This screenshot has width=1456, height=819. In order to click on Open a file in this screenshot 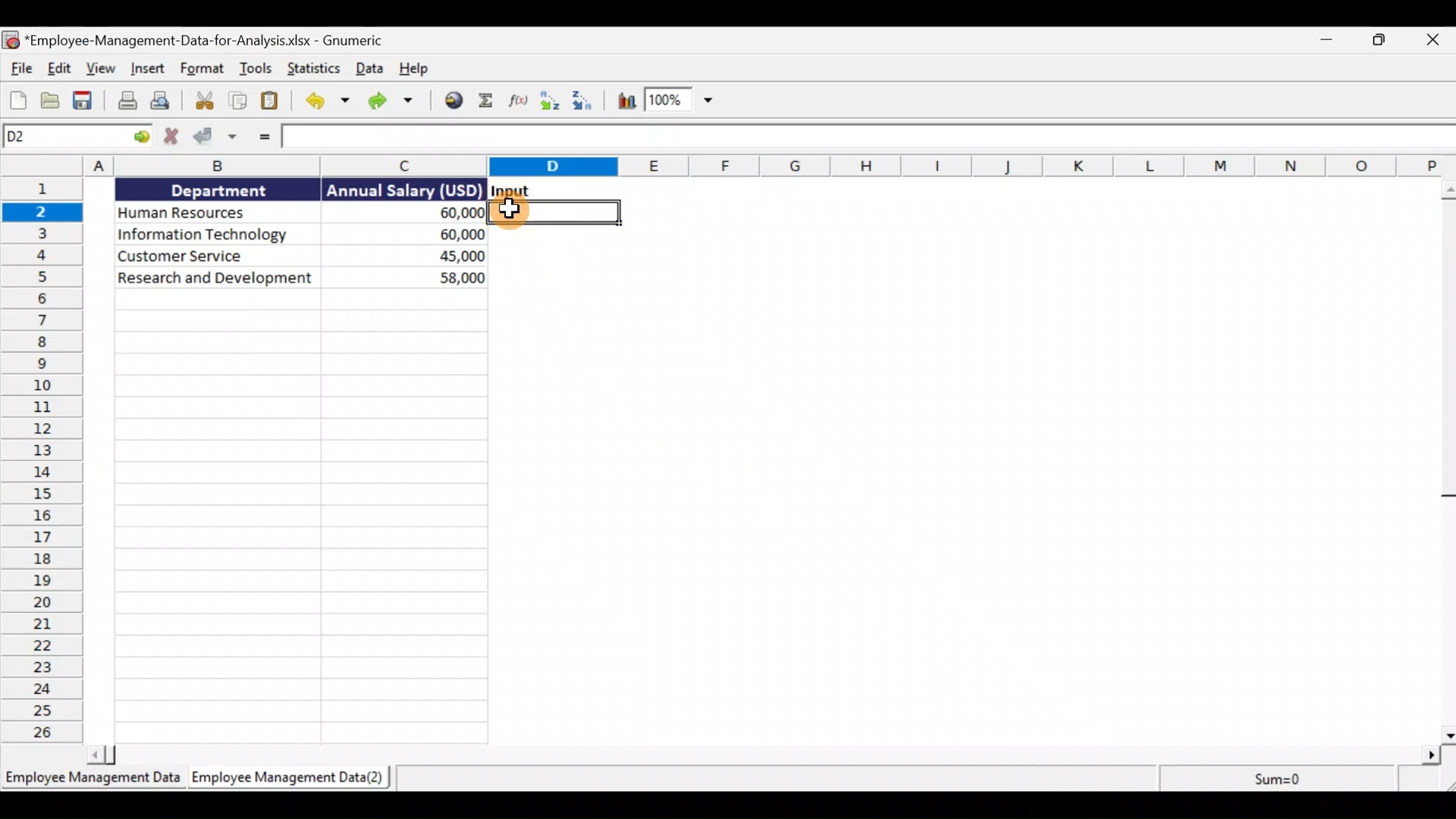, I will do `click(47, 100)`.